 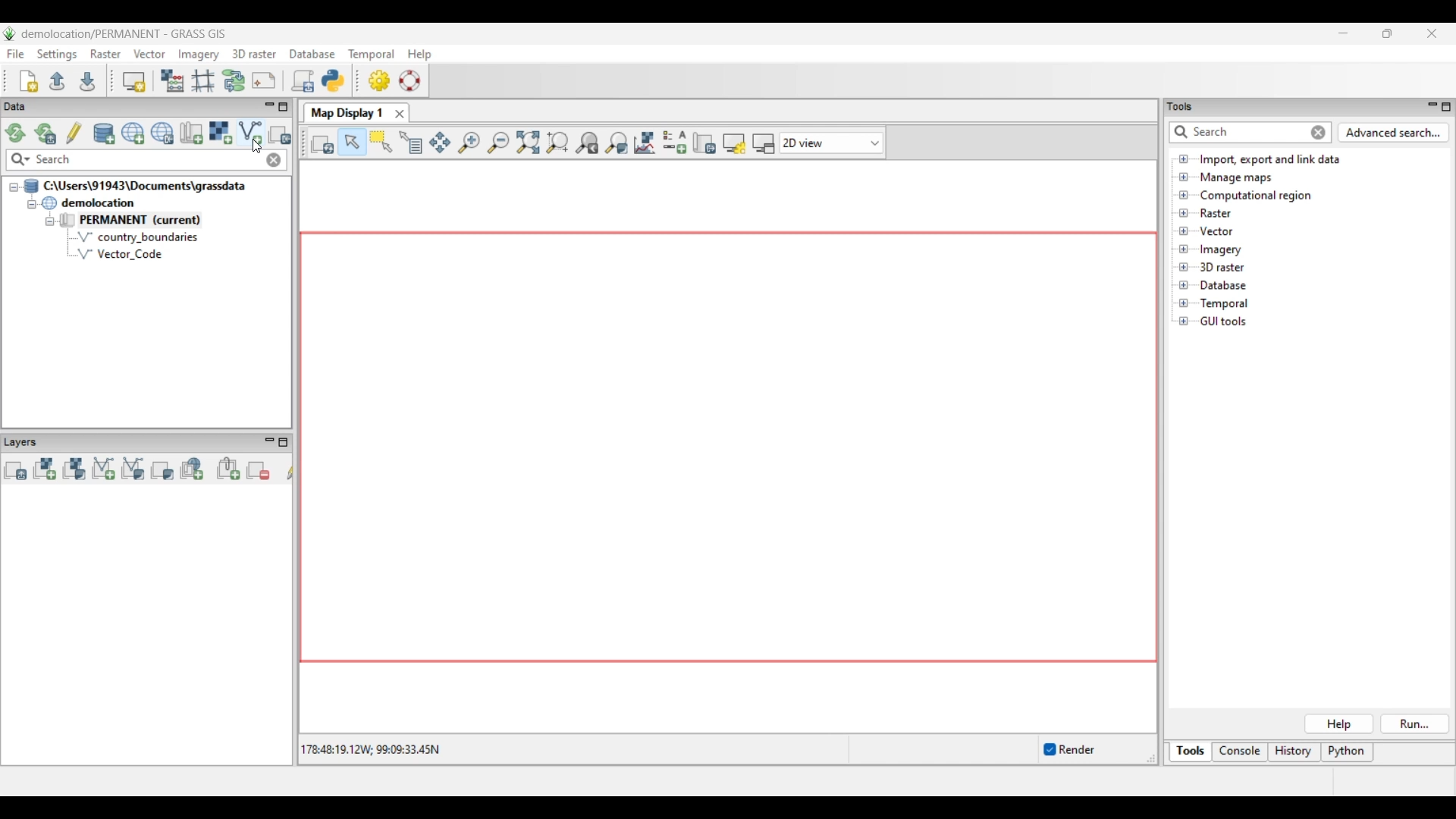 What do you see at coordinates (557, 143) in the screenshot?
I see `Zoom to computational region extent` at bounding box center [557, 143].